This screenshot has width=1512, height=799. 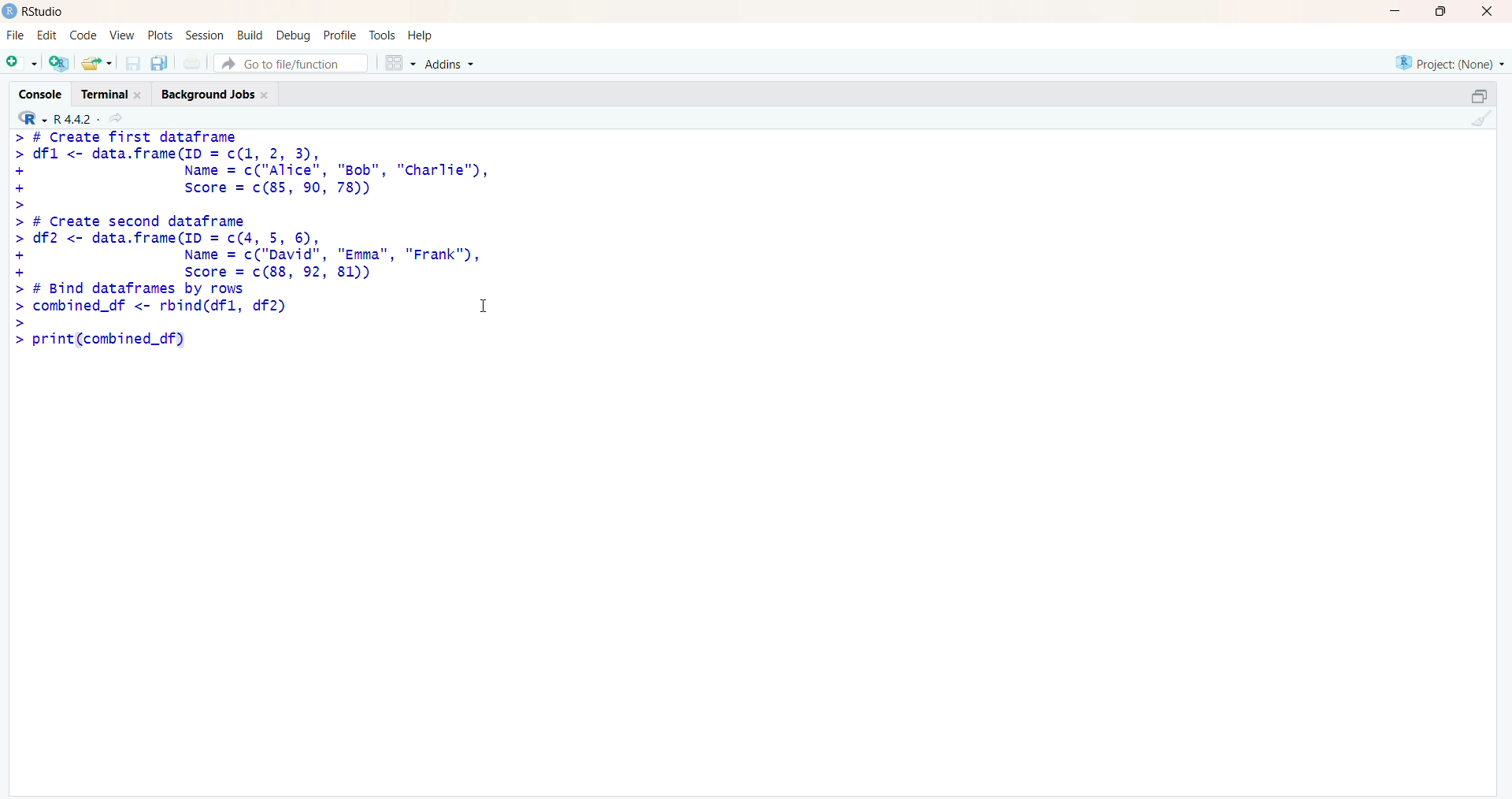 What do you see at coordinates (399, 62) in the screenshot?
I see `workspace panes` at bounding box center [399, 62].